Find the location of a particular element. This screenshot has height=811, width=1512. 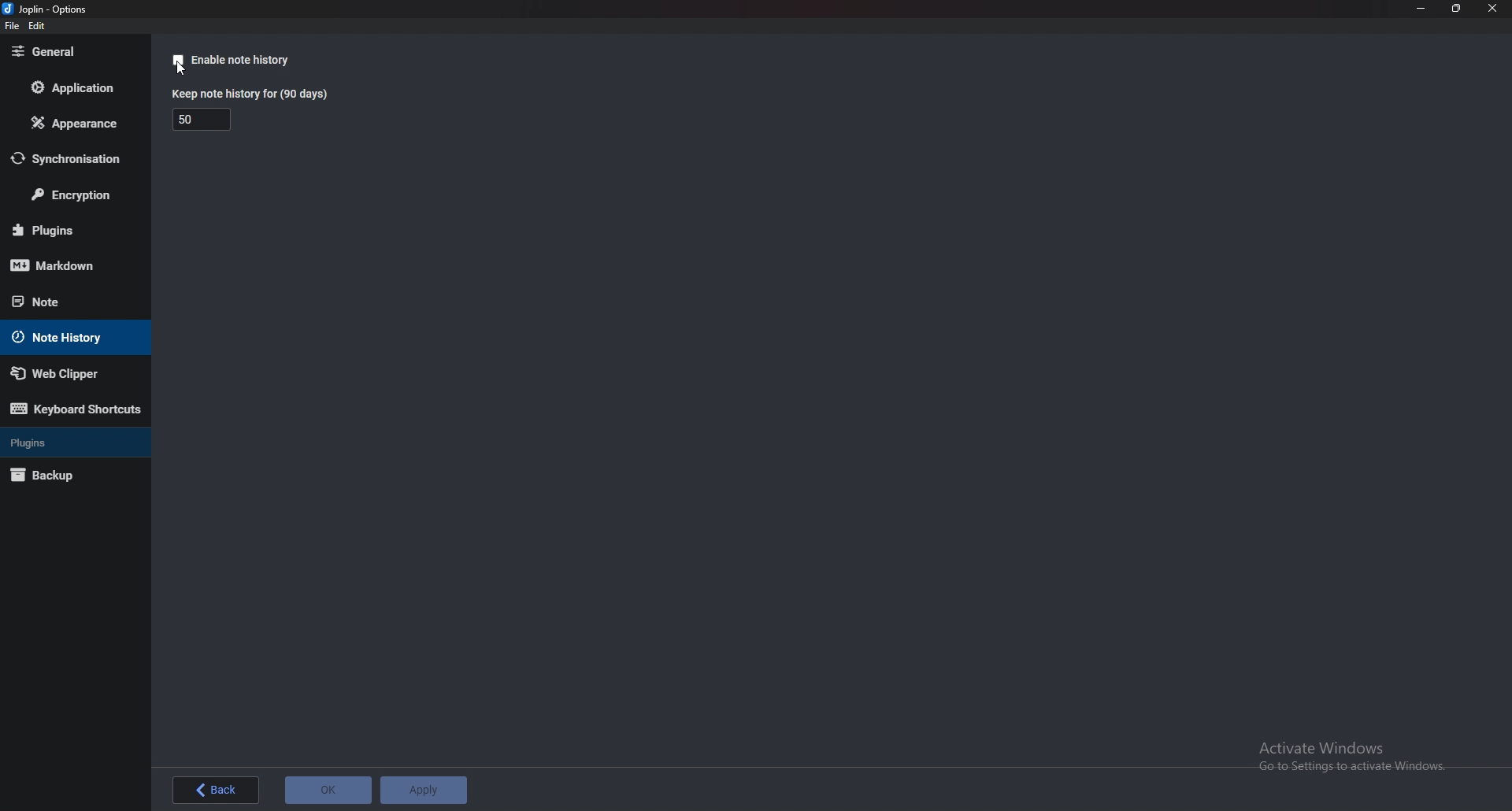

Plugins is located at coordinates (70, 443).